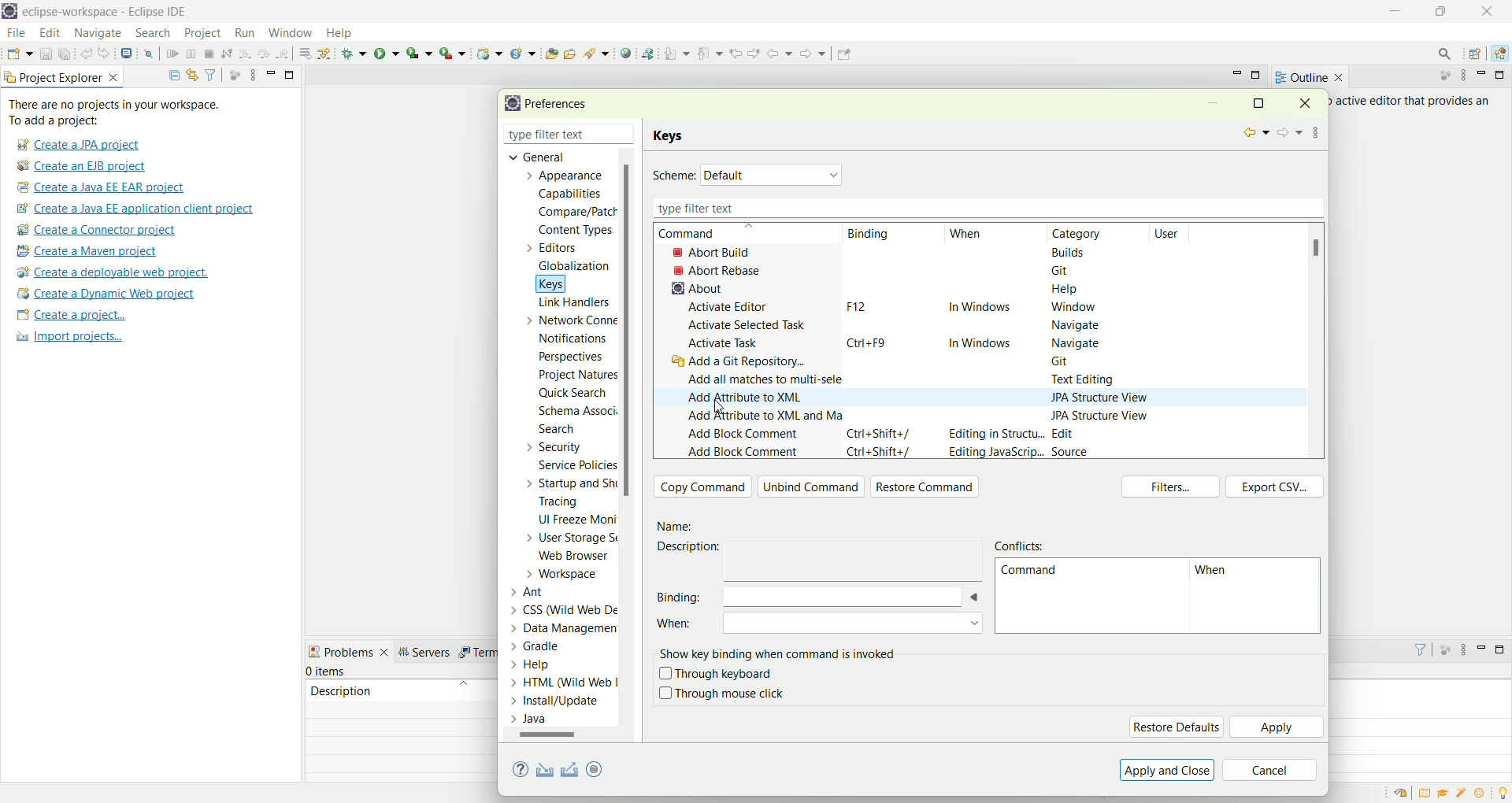 This screenshot has height=803, width=1512. What do you see at coordinates (597, 768) in the screenshot?
I see `oomph preference` at bounding box center [597, 768].